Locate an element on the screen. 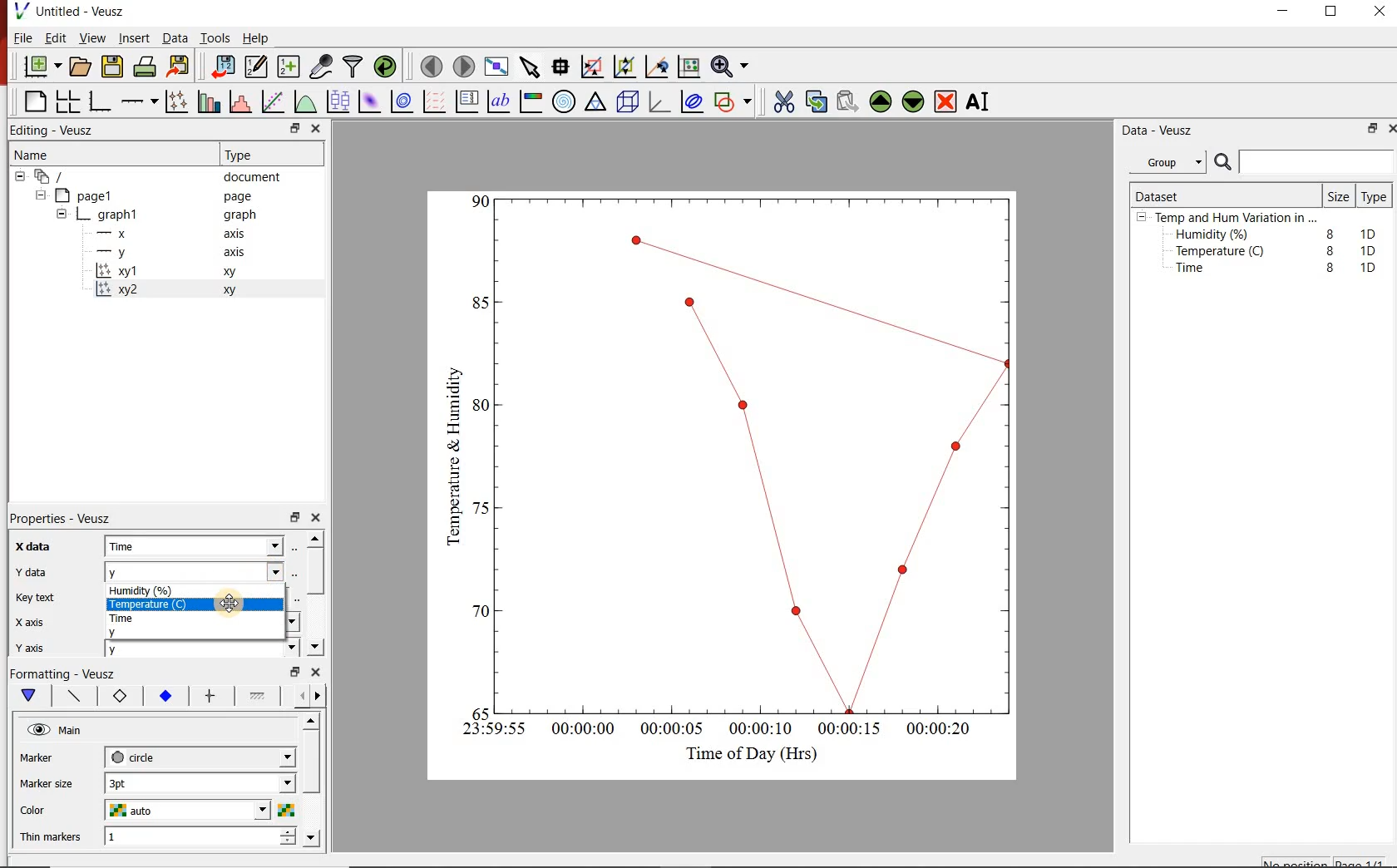  image color bar is located at coordinates (534, 101).